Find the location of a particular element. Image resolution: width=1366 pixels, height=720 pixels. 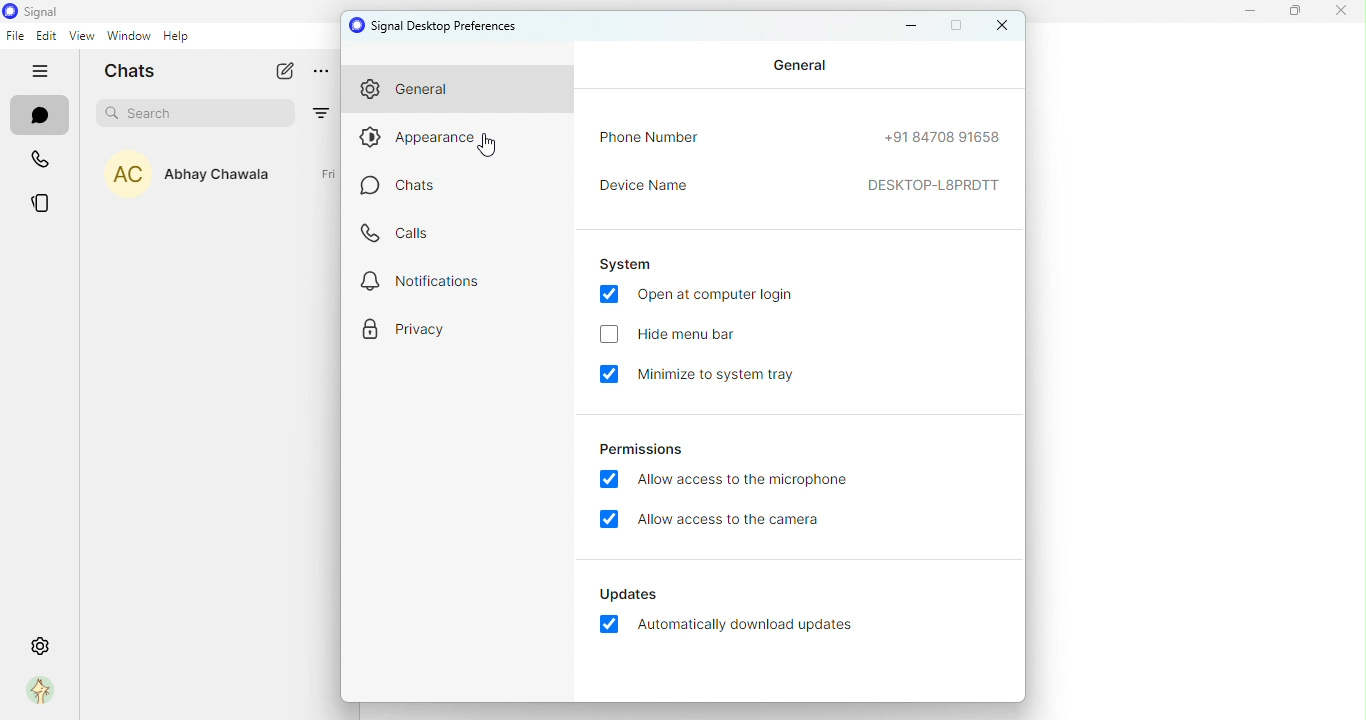

Cursor is located at coordinates (491, 148).